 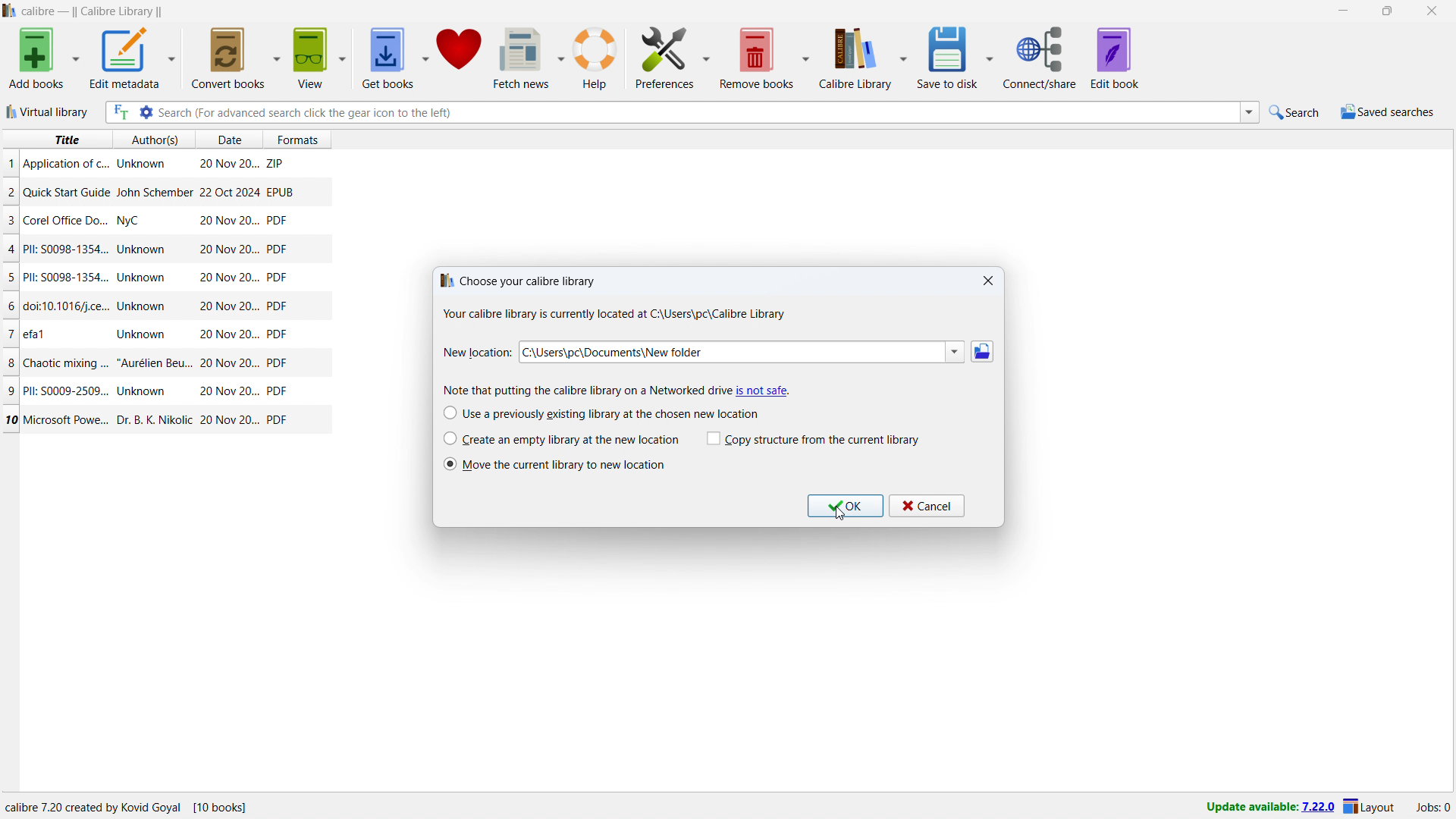 I want to click on help, so click(x=595, y=58).